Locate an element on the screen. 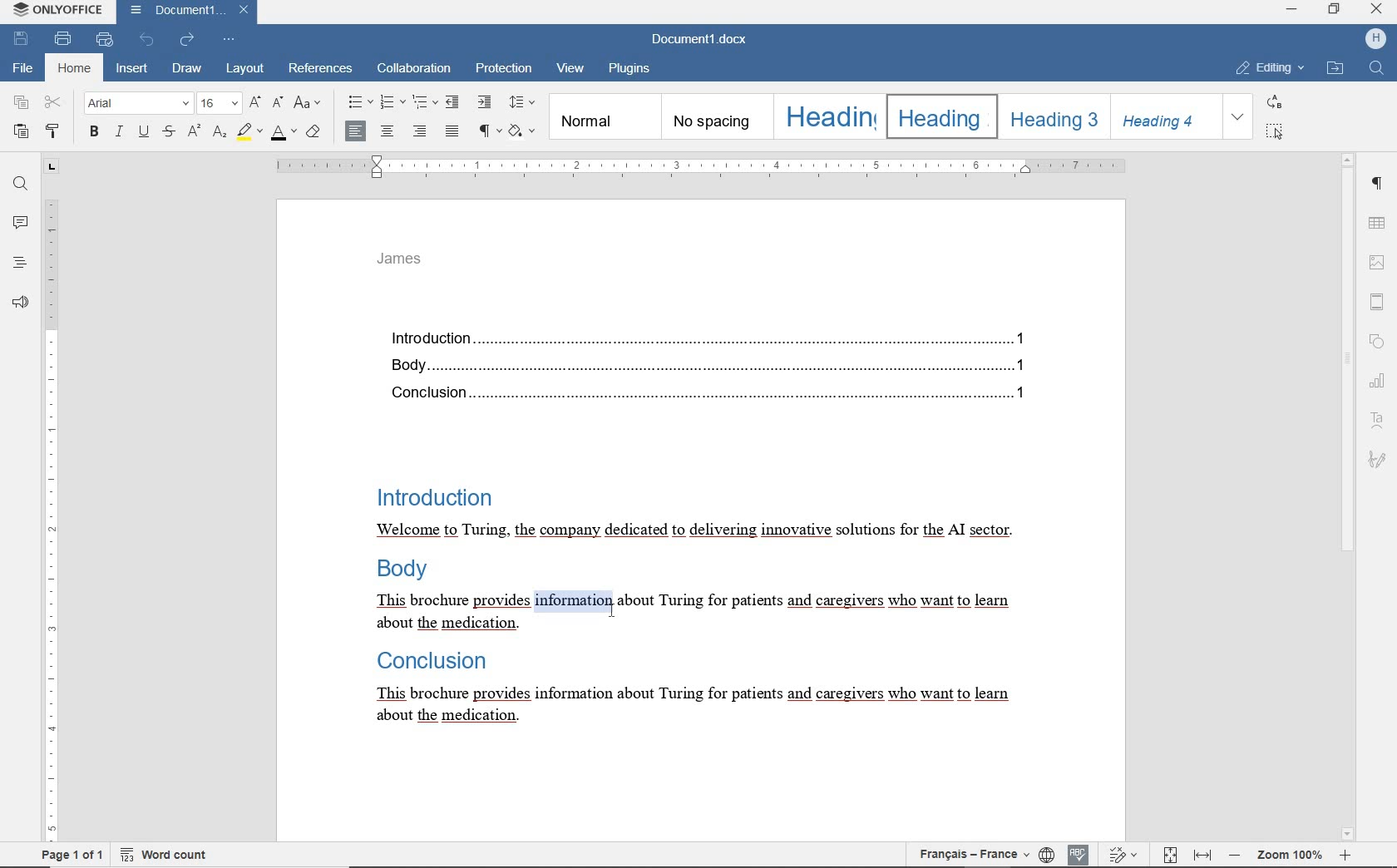  NORMAL is located at coordinates (603, 117).